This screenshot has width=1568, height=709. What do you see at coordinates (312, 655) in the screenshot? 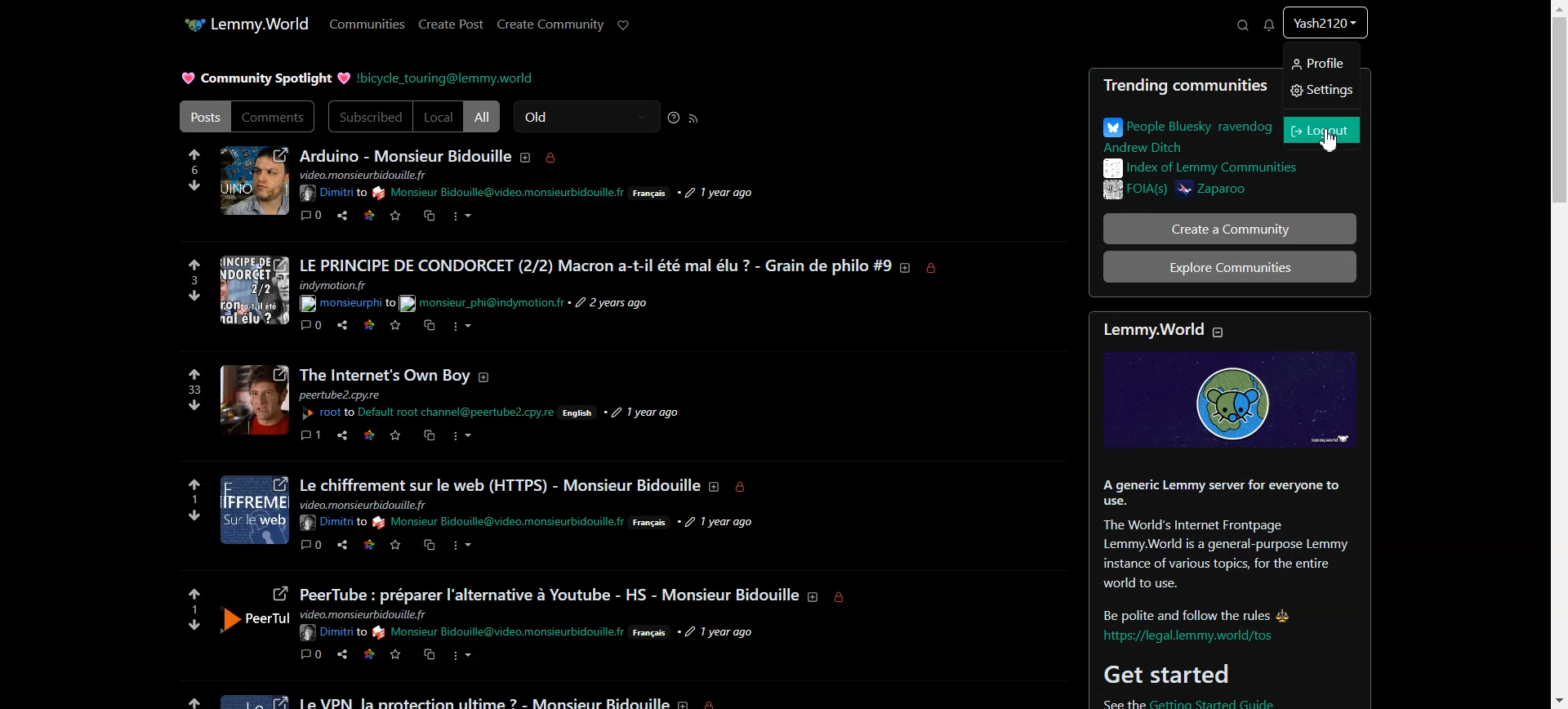
I see `comment` at bounding box center [312, 655].